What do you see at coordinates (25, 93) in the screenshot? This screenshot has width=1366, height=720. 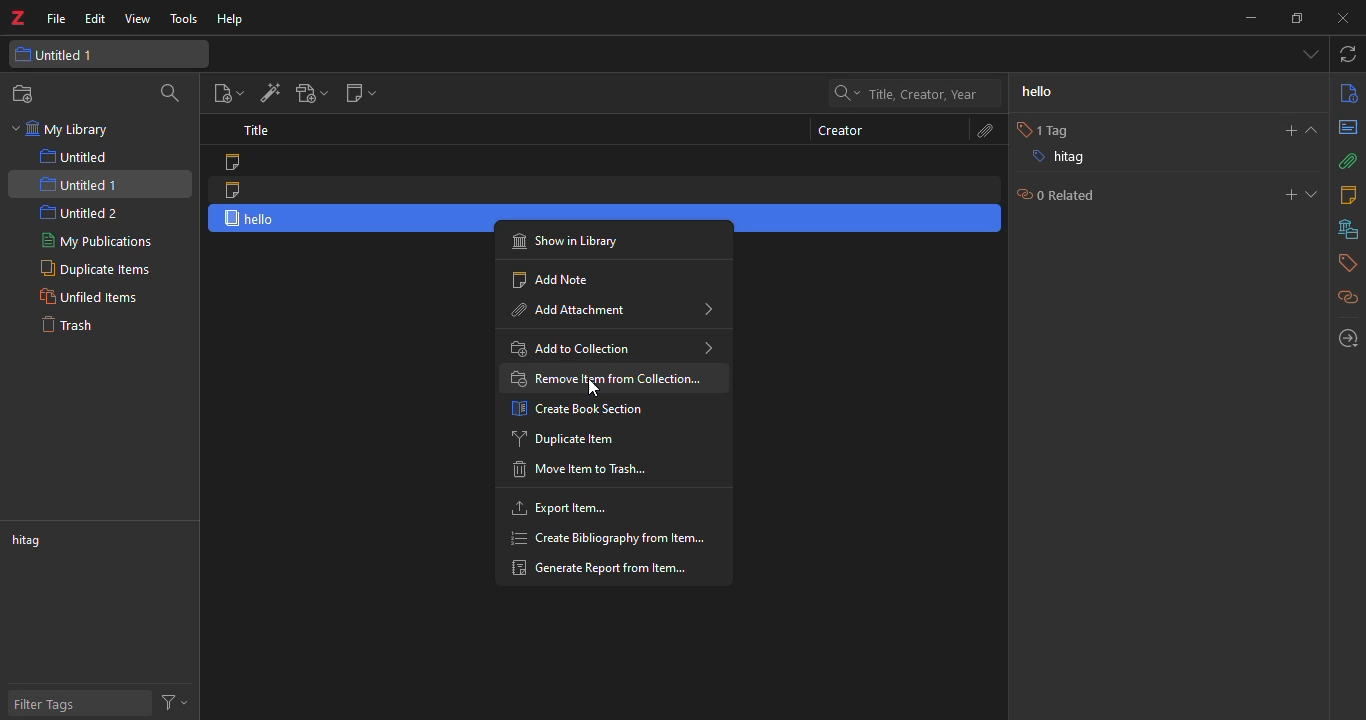 I see `new workspace` at bounding box center [25, 93].